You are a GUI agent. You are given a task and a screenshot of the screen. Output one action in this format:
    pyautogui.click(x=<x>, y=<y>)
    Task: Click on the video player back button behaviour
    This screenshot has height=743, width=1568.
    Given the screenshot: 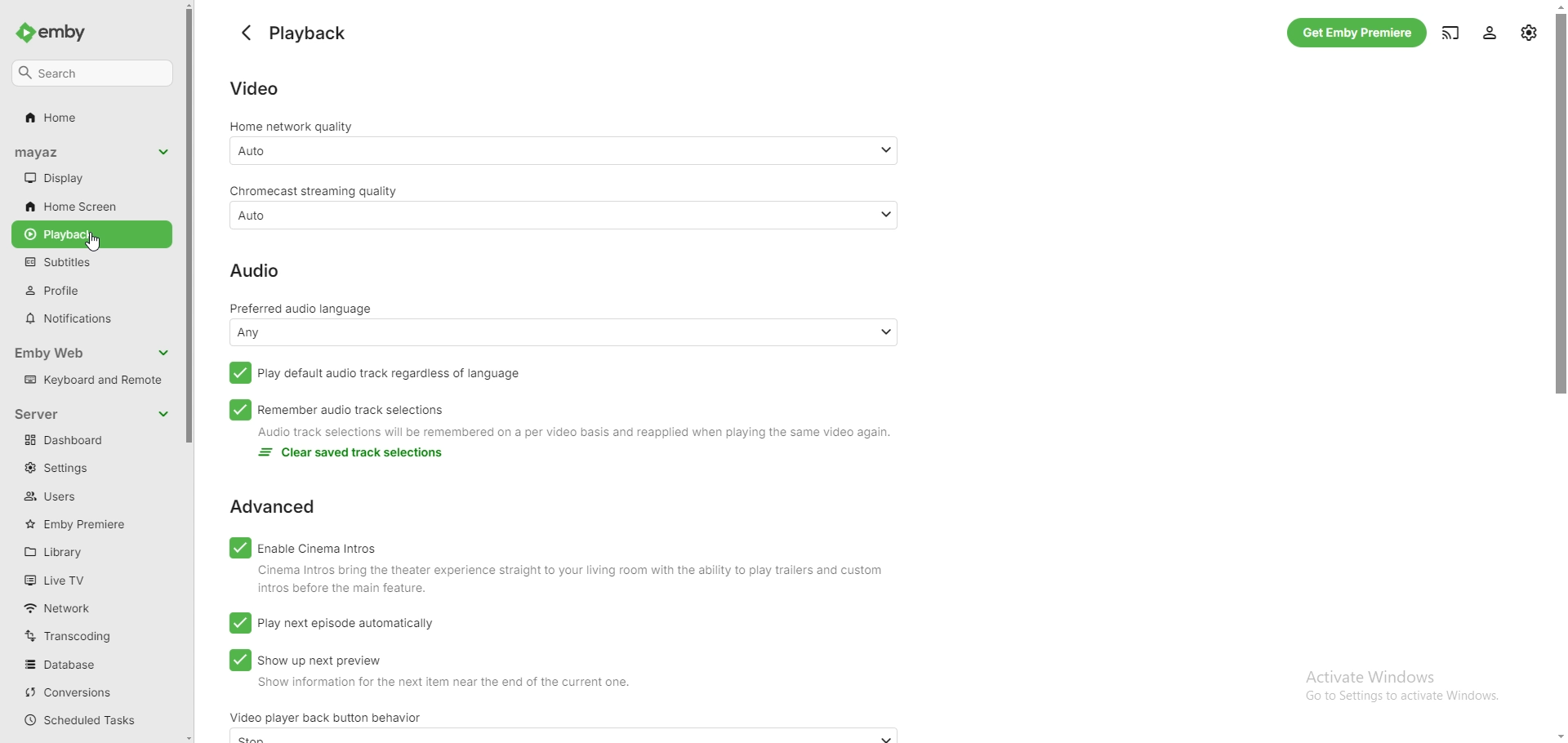 What is the action you would take?
    pyautogui.click(x=326, y=717)
    